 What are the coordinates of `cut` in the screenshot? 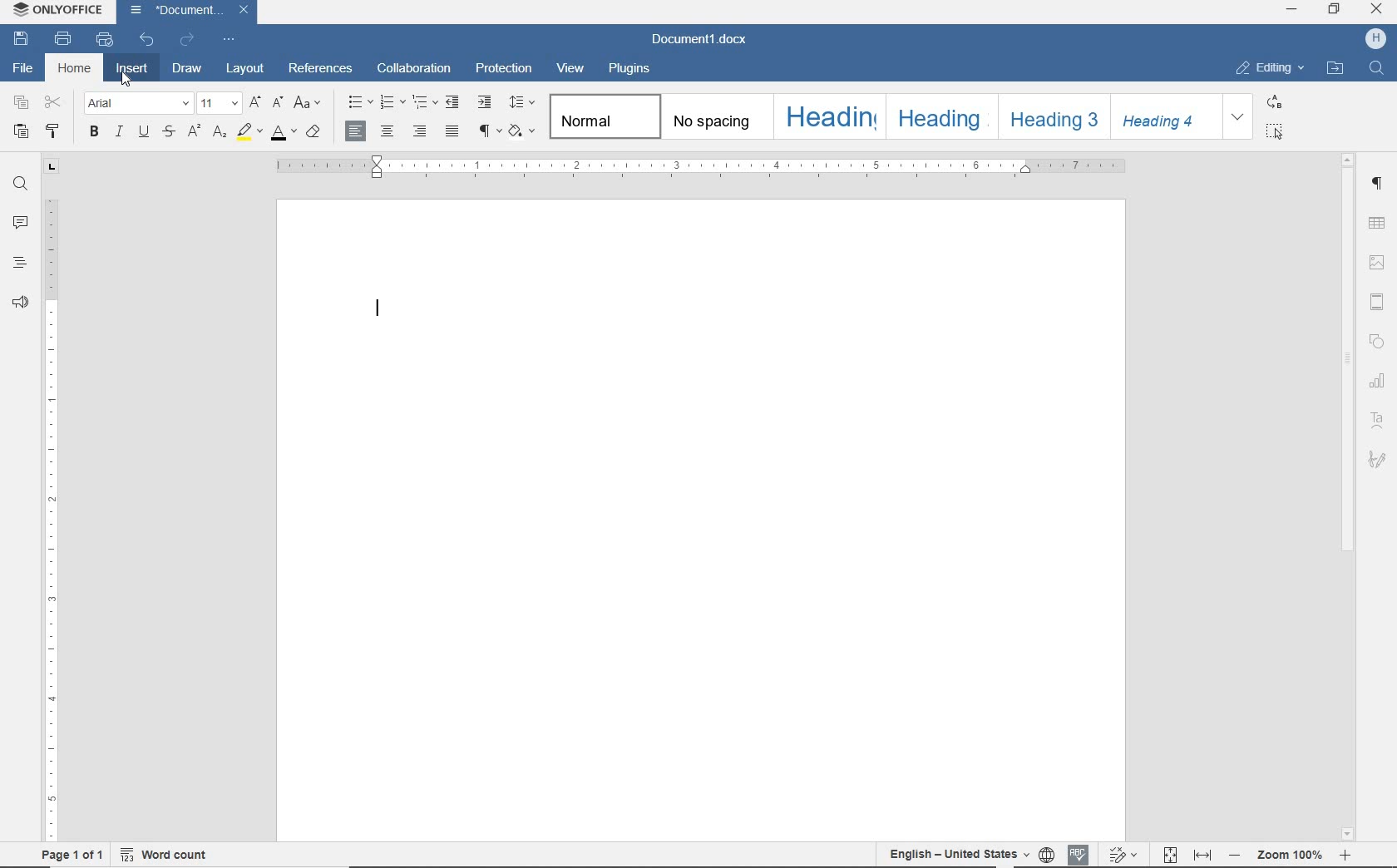 It's located at (53, 101).